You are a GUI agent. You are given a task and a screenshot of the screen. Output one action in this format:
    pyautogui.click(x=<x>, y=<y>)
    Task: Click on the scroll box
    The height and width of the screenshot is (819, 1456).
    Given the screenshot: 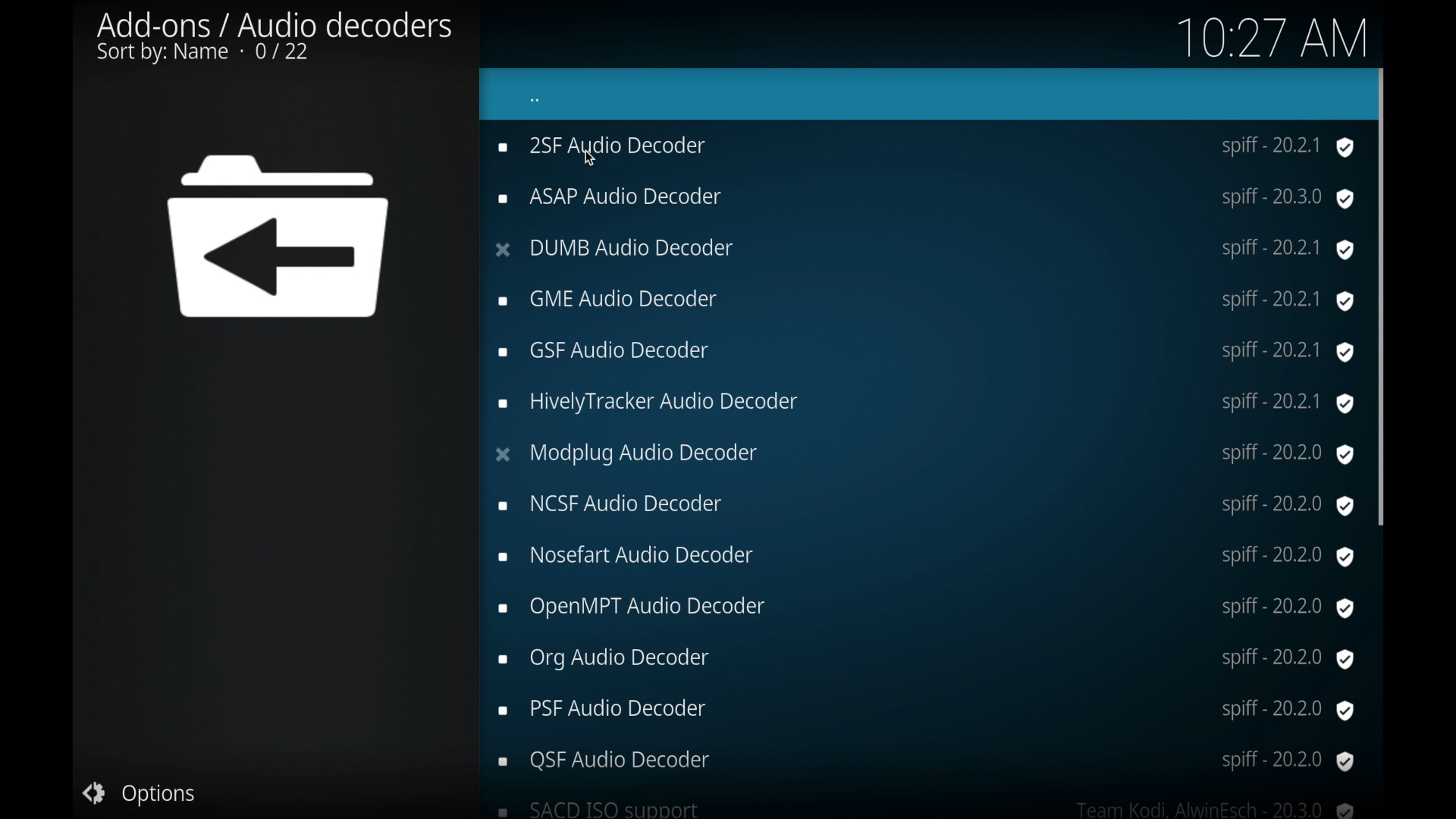 What is the action you would take?
    pyautogui.click(x=1383, y=293)
    